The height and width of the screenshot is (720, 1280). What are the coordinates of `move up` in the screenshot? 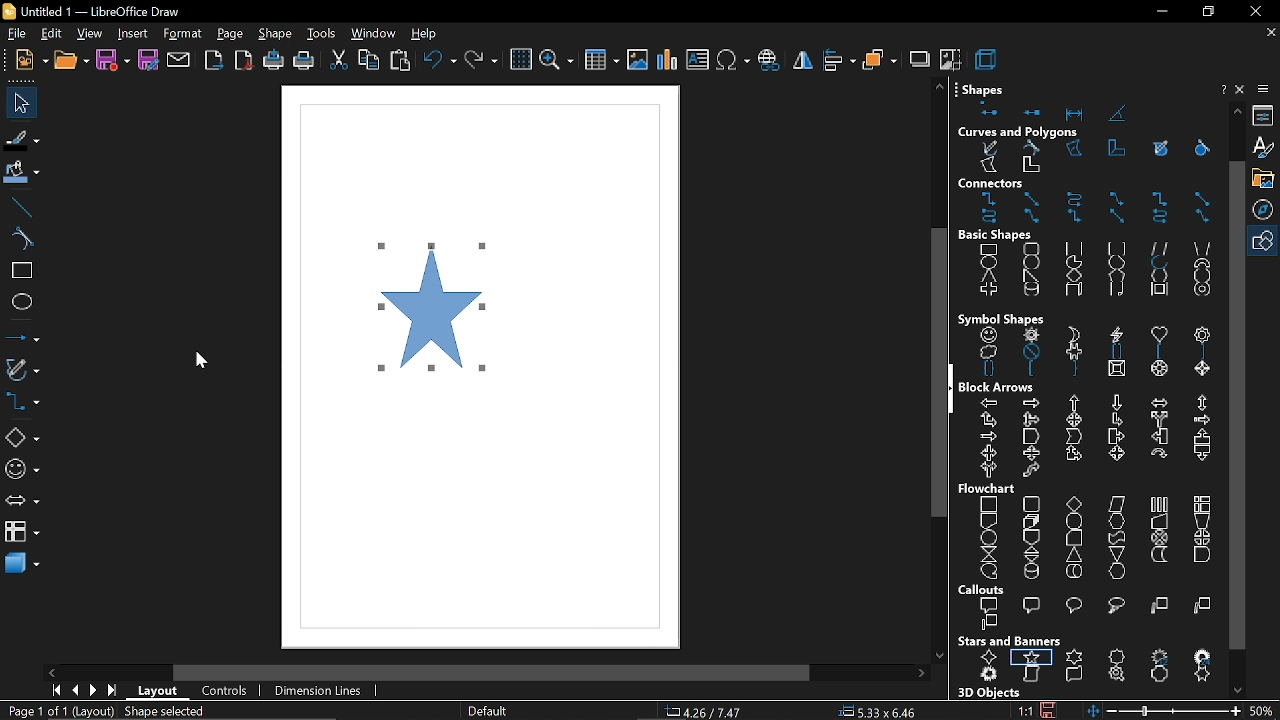 It's located at (1237, 111).